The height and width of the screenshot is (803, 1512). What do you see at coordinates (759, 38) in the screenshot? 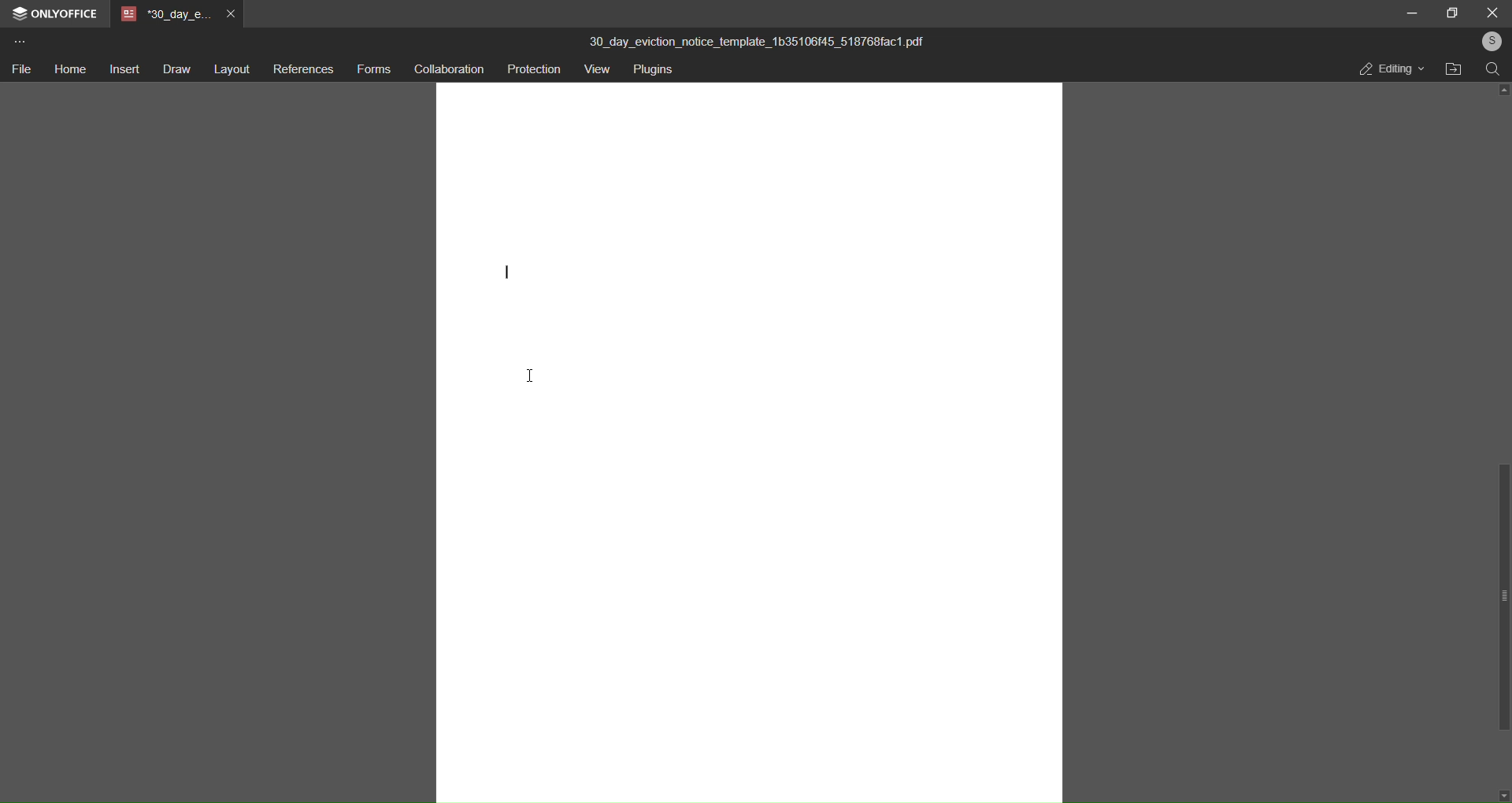
I see `title` at bounding box center [759, 38].